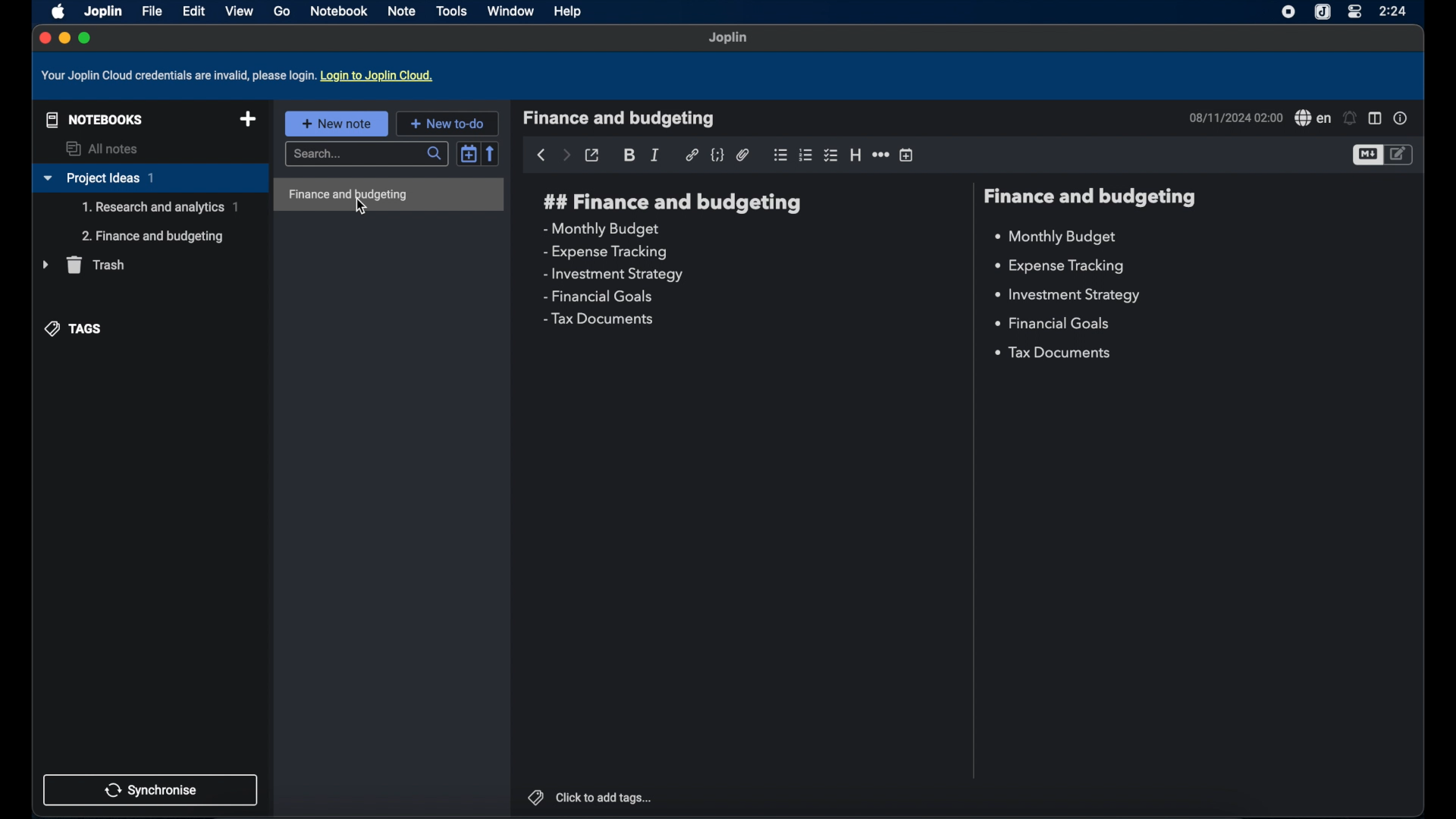  Describe the element at coordinates (193, 11) in the screenshot. I see `edit` at that location.